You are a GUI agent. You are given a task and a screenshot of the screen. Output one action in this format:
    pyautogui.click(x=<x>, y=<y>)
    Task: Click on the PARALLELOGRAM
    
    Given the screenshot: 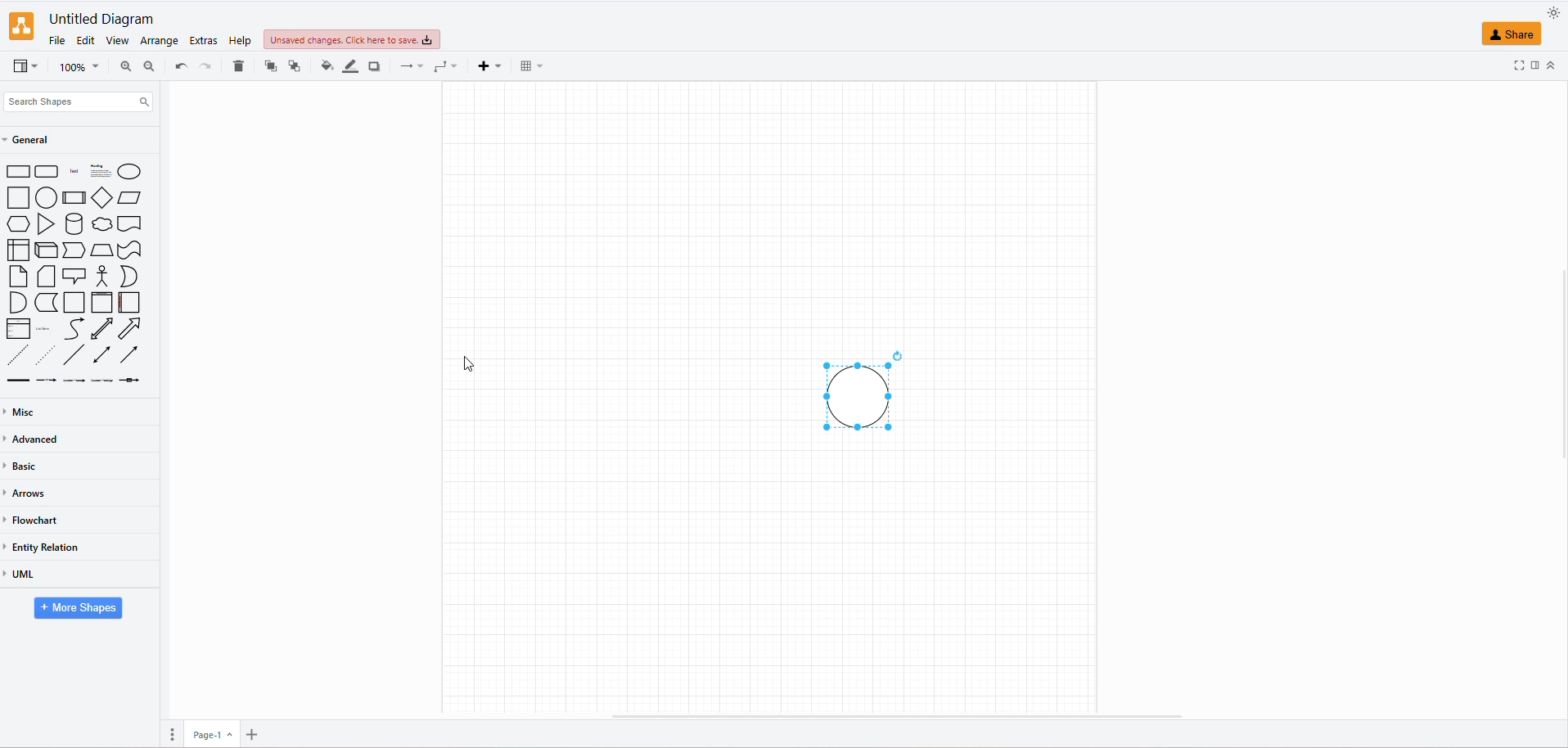 What is the action you would take?
    pyautogui.click(x=129, y=197)
    